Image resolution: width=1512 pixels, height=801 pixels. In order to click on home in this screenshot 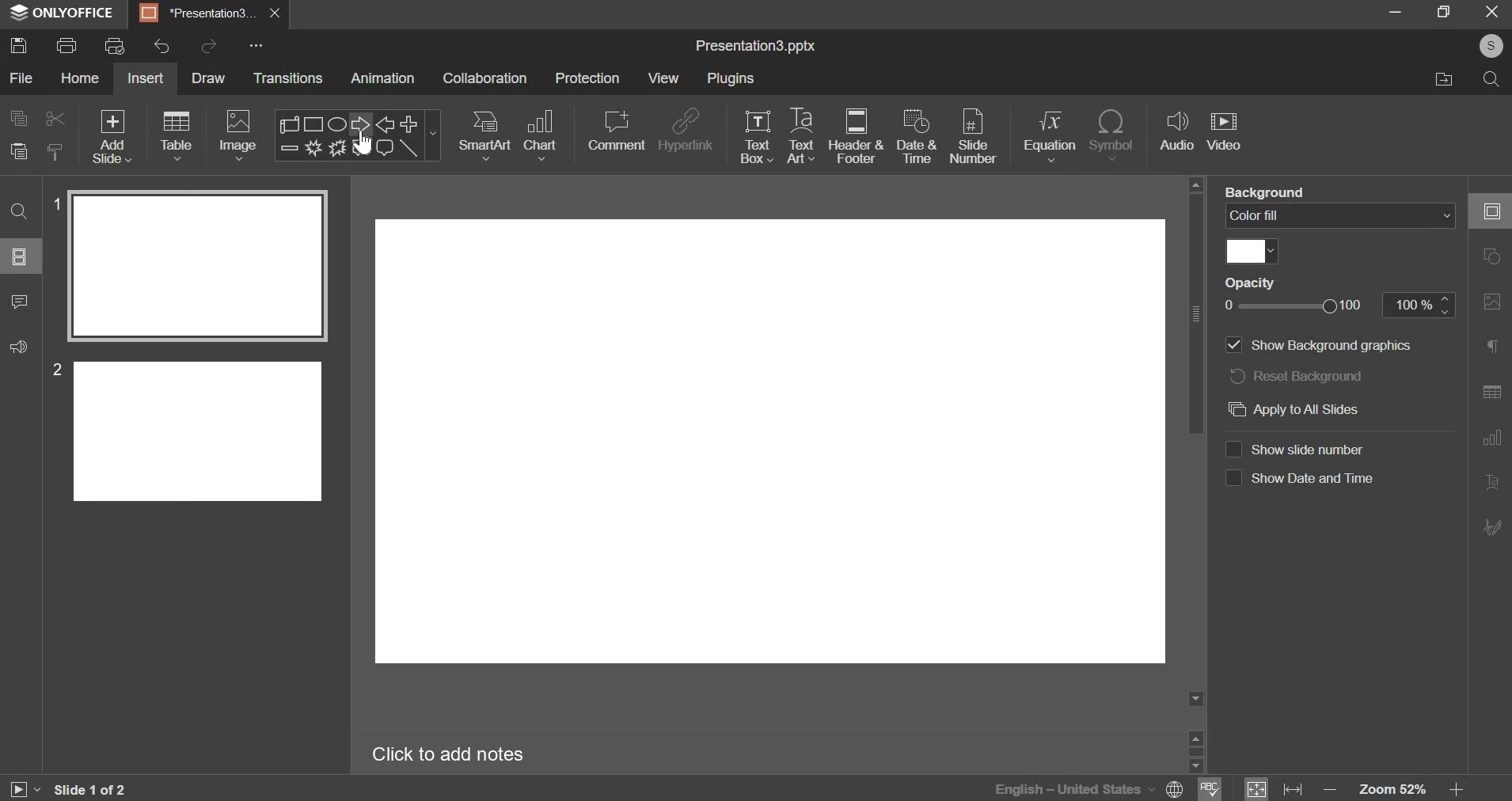, I will do `click(81, 78)`.